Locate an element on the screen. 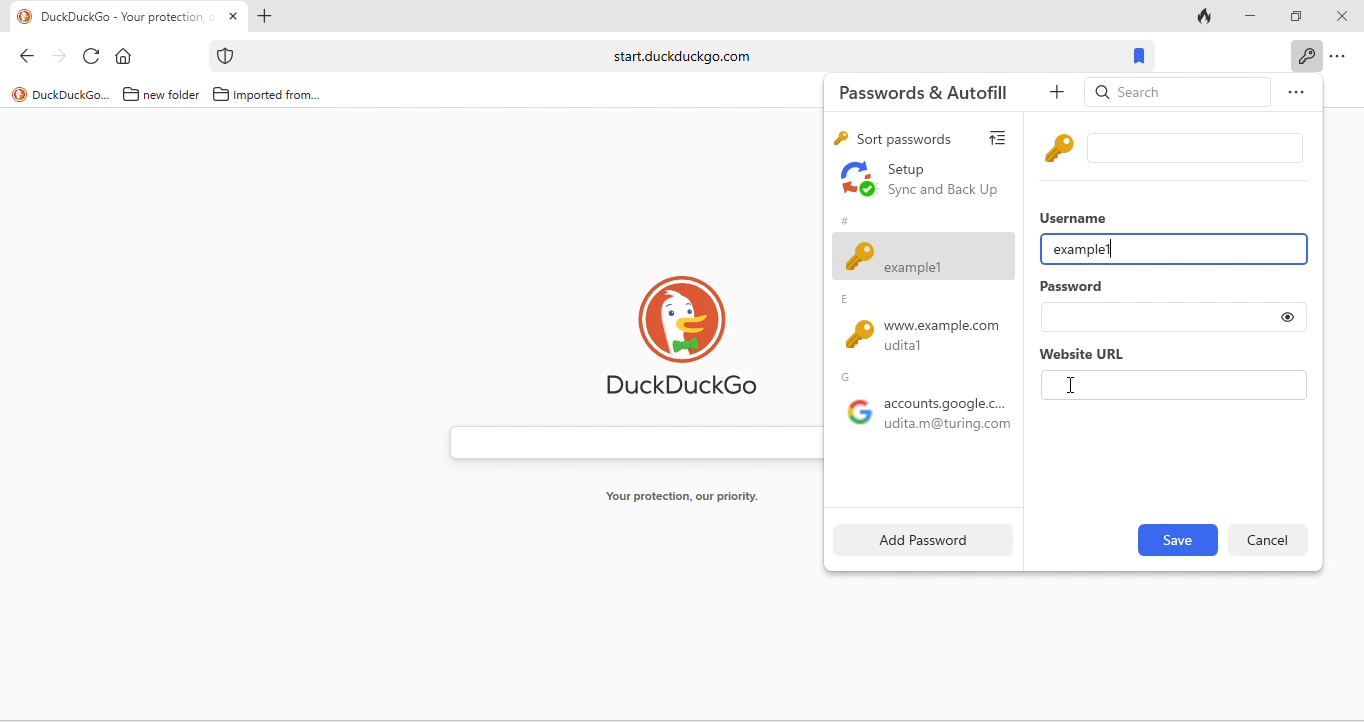 Image resolution: width=1364 pixels, height=722 pixels. key icon to show passwords and auto fills when clicked is located at coordinates (1305, 54).